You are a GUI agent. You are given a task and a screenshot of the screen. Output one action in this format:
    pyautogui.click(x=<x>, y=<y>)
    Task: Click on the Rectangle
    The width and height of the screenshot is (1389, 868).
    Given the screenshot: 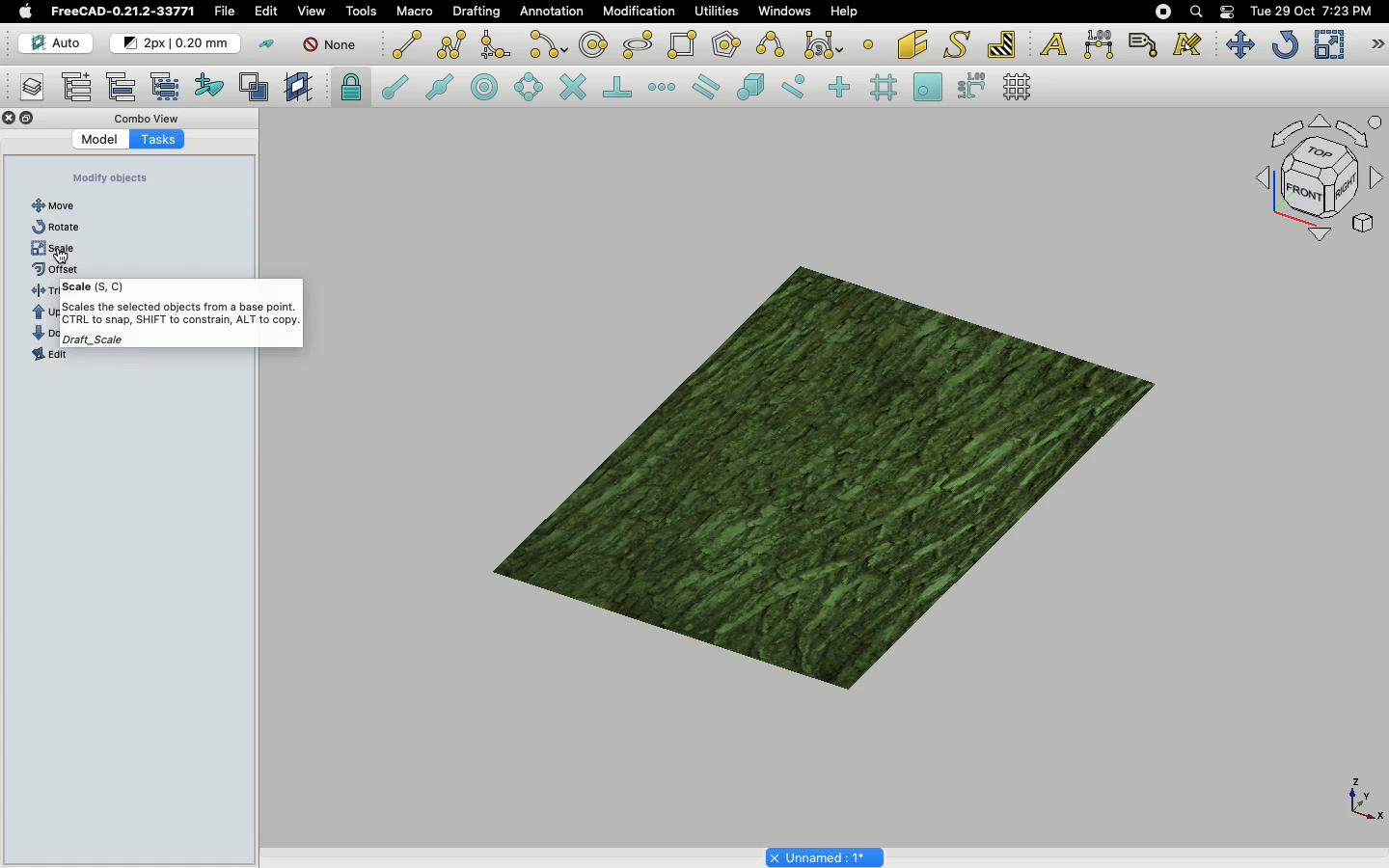 What is the action you would take?
    pyautogui.click(x=65, y=248)
    